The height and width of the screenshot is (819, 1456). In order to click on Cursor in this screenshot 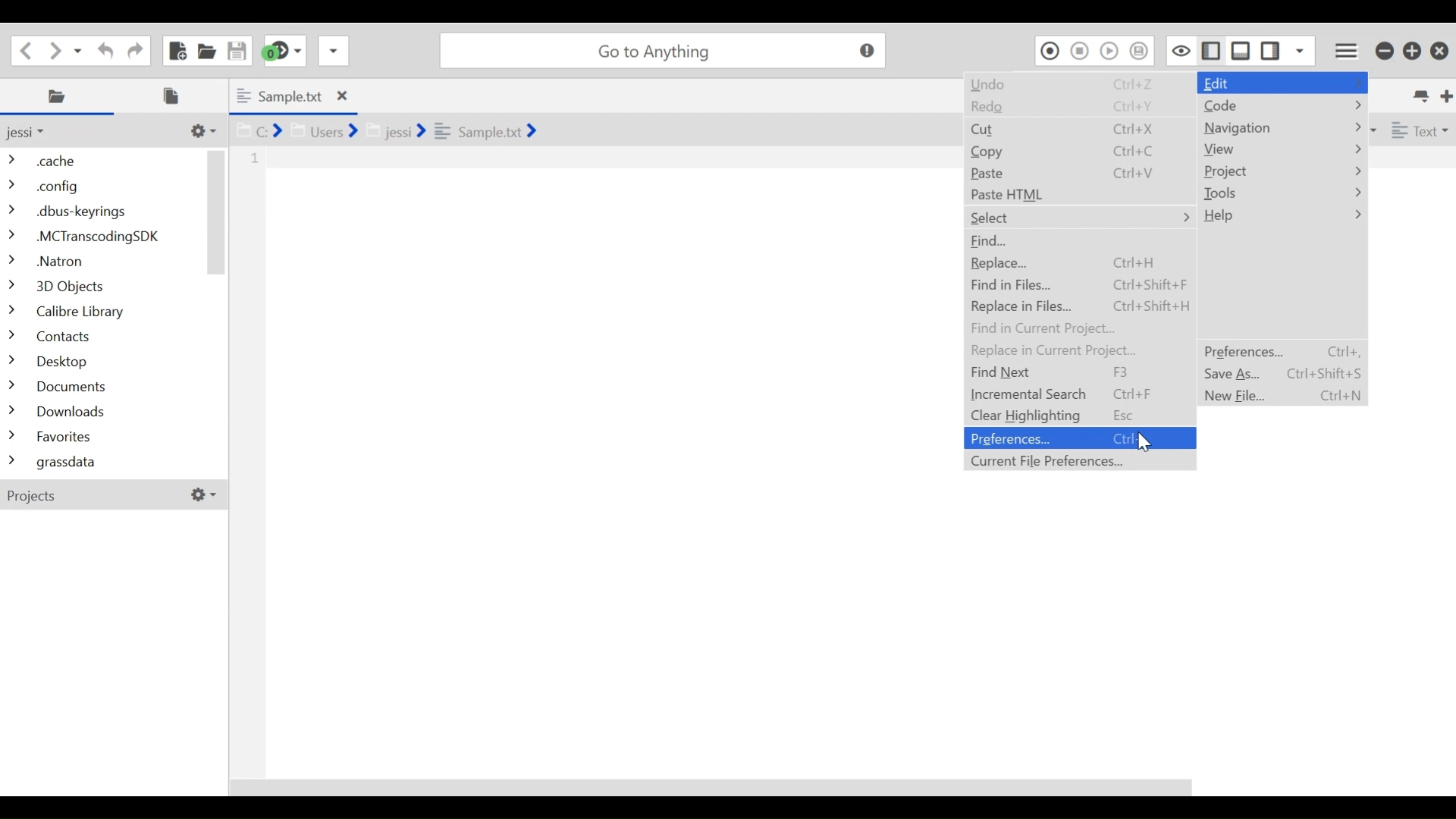, I will do `click(1146, 443)`.